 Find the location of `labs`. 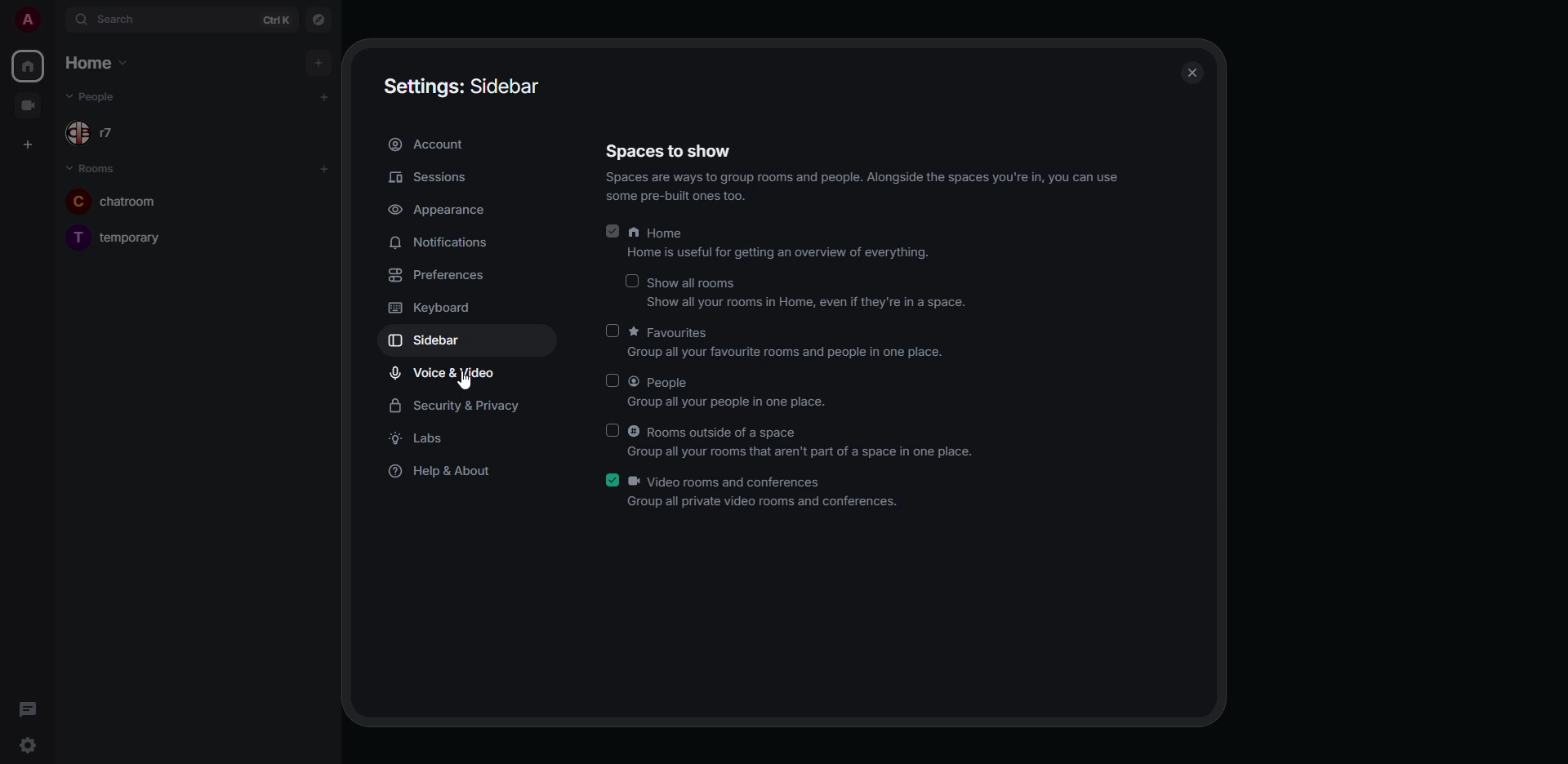

labs is located at coordinates (422, 441).